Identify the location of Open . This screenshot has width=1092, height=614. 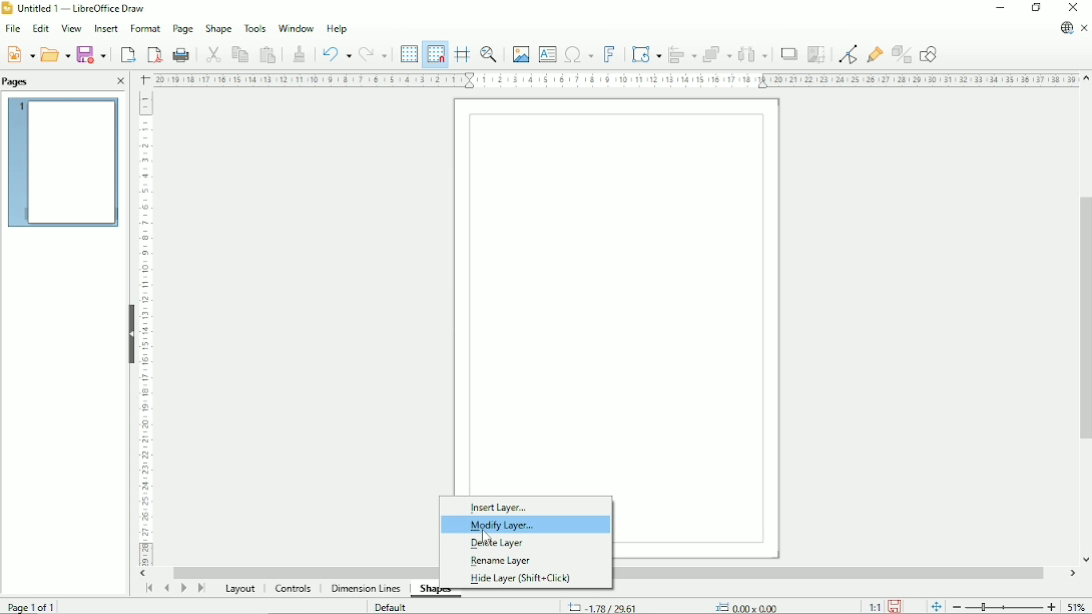
(55, 53).